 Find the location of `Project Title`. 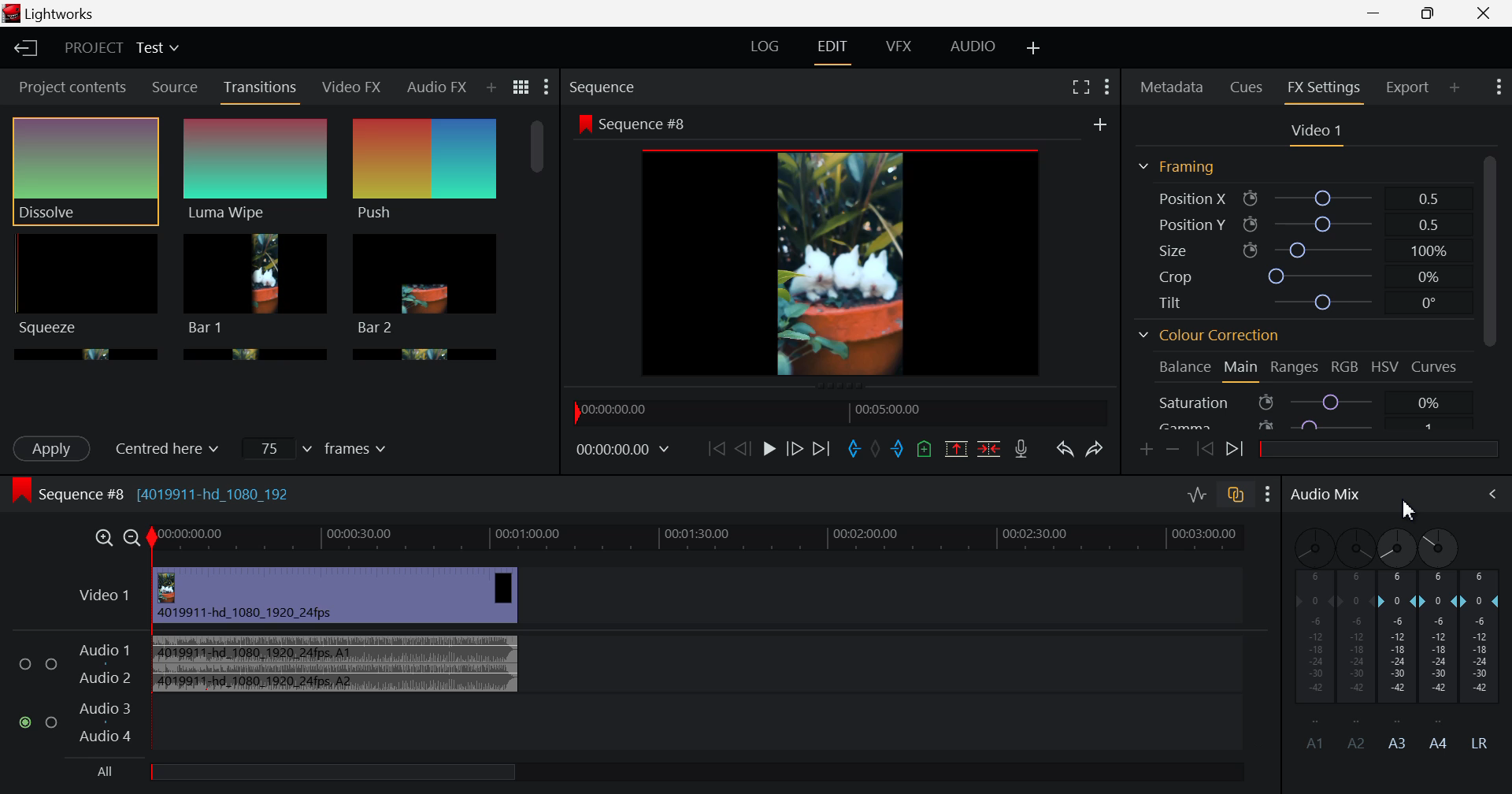

Project Title is located at coordinates (124, 48).